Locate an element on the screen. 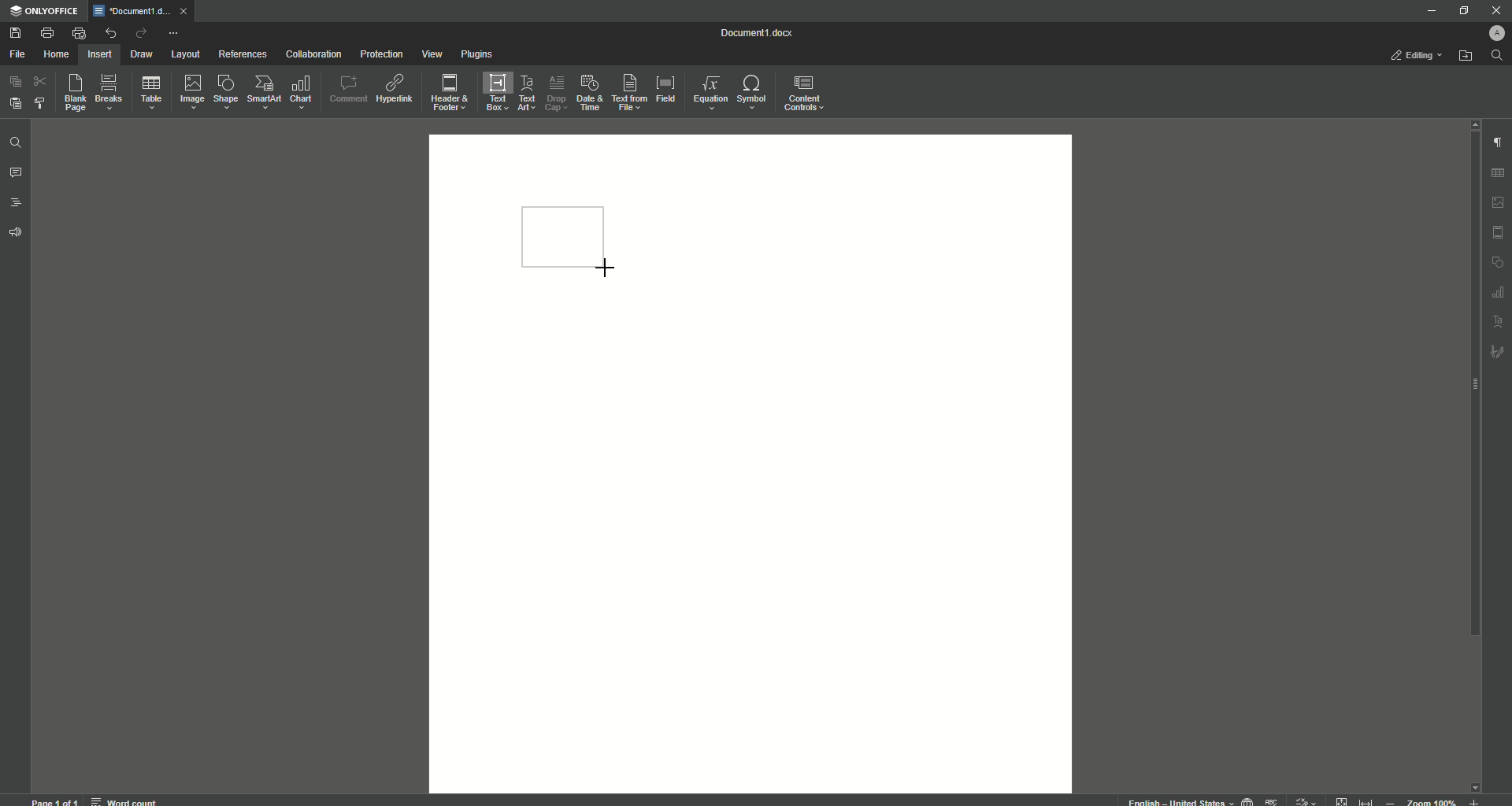 The image size is (1512, 806). Symbols is located at coordinates (750, 92).